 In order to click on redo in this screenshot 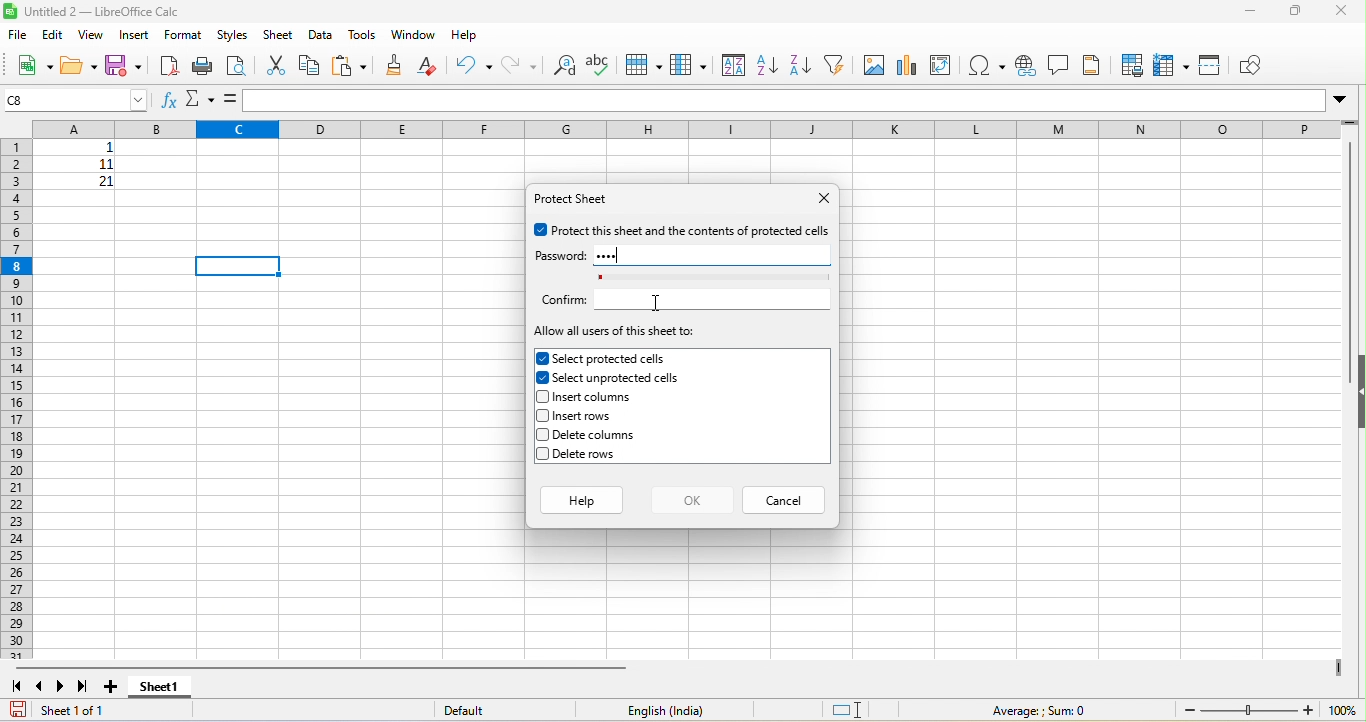, I will do `click(517, 65)`.